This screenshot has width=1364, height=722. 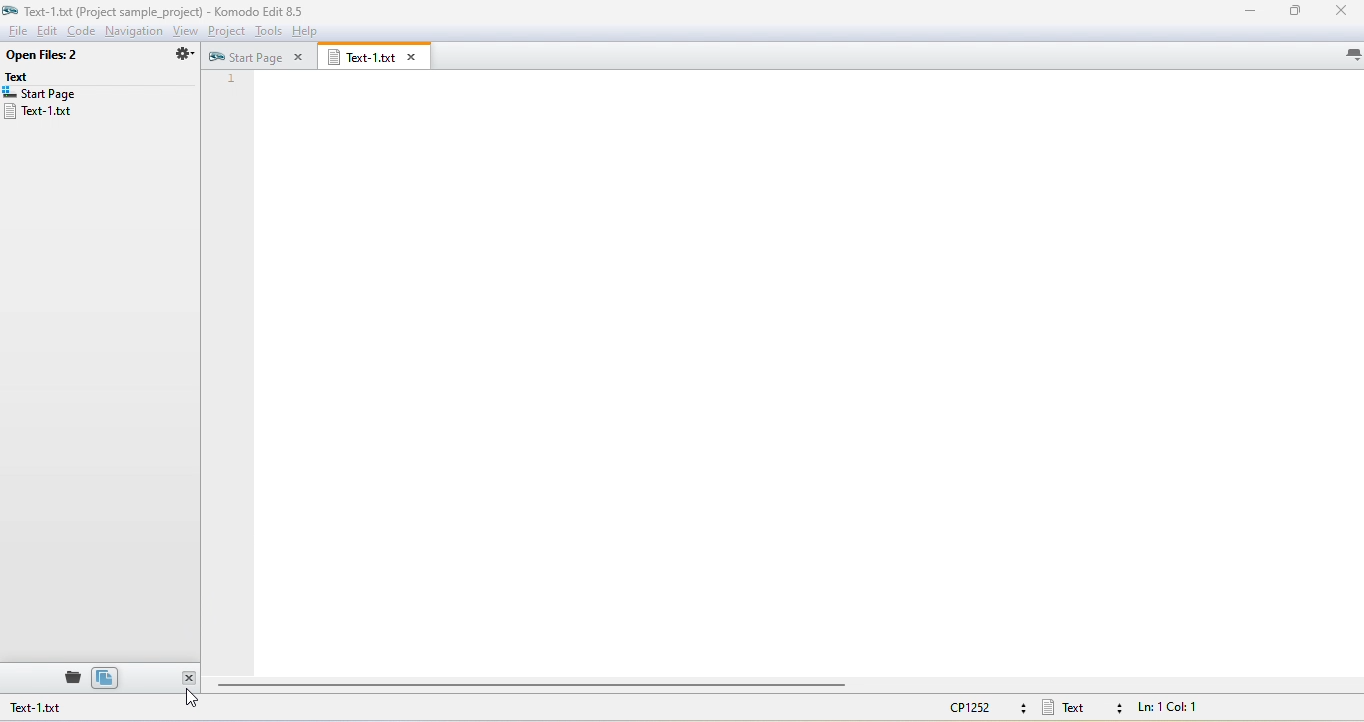 I want to click on text, so click(x=33, y=77).